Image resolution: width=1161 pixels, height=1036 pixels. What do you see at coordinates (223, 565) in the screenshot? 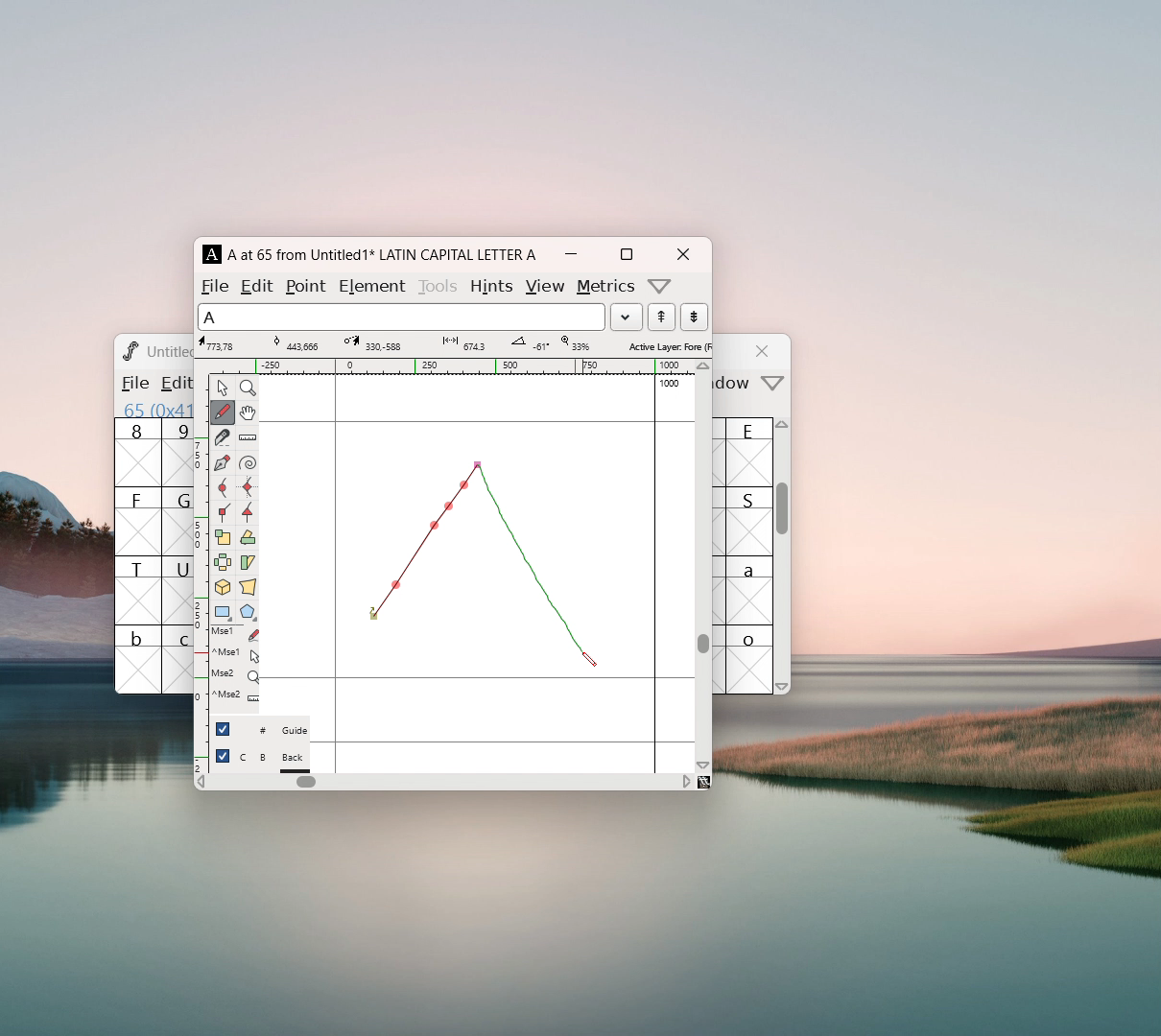
I see `flip selection` at bounding box center [223, 565].